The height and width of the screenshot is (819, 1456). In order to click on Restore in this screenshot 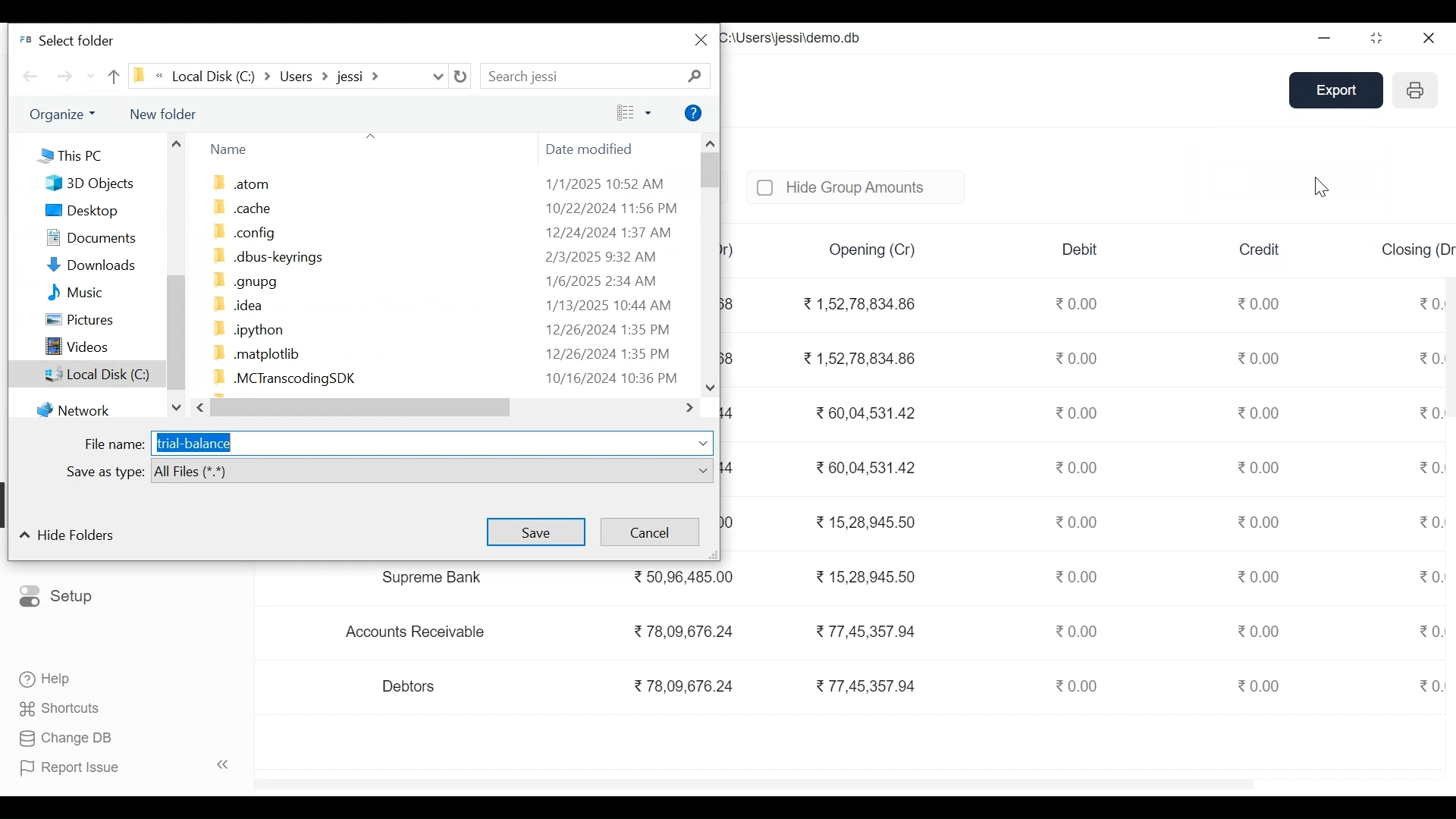, I will do `click(1379, 37)`.